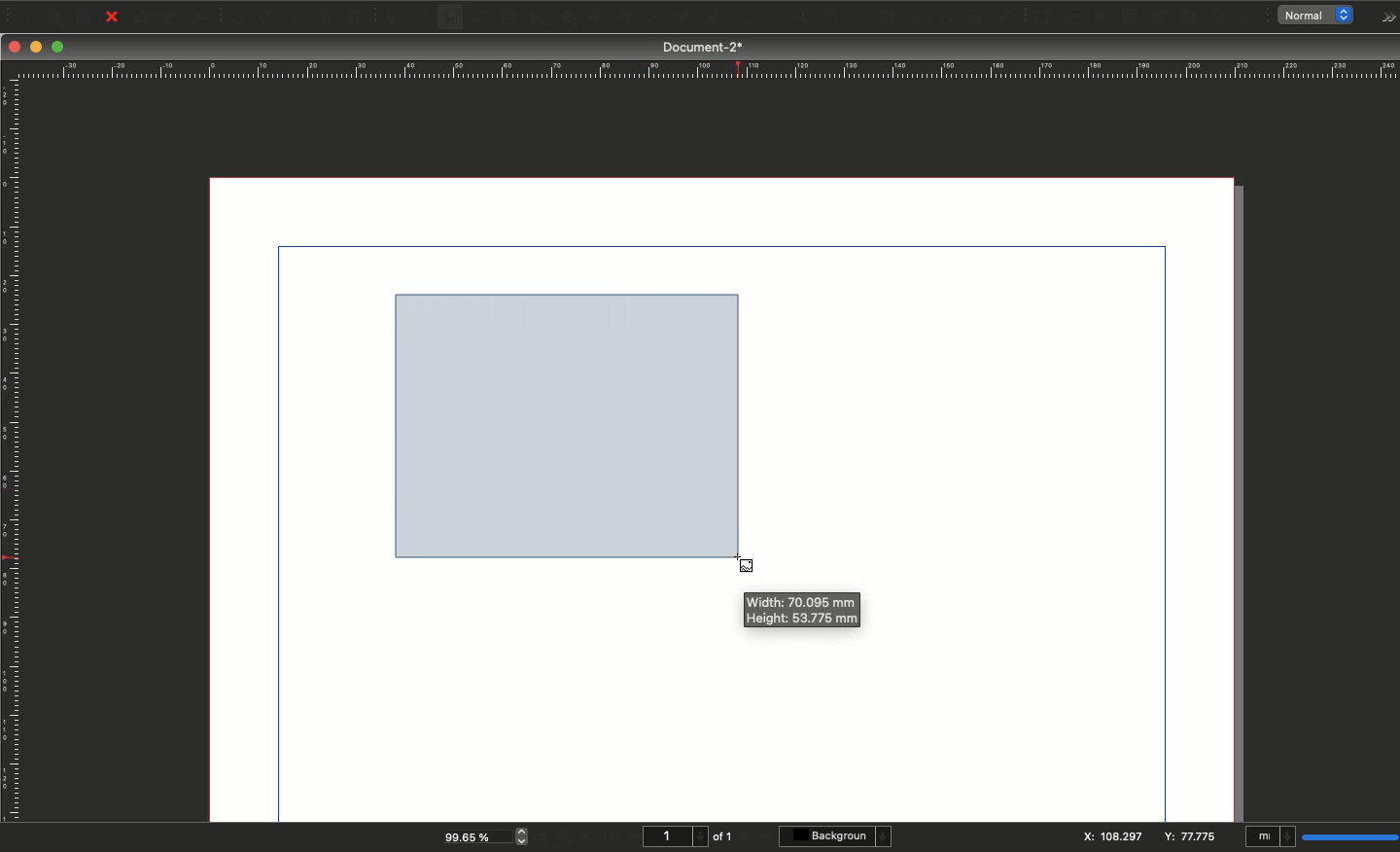  Describe the element at coordinates (453, 19) in the screenshot. I see `Image frame` at that location.